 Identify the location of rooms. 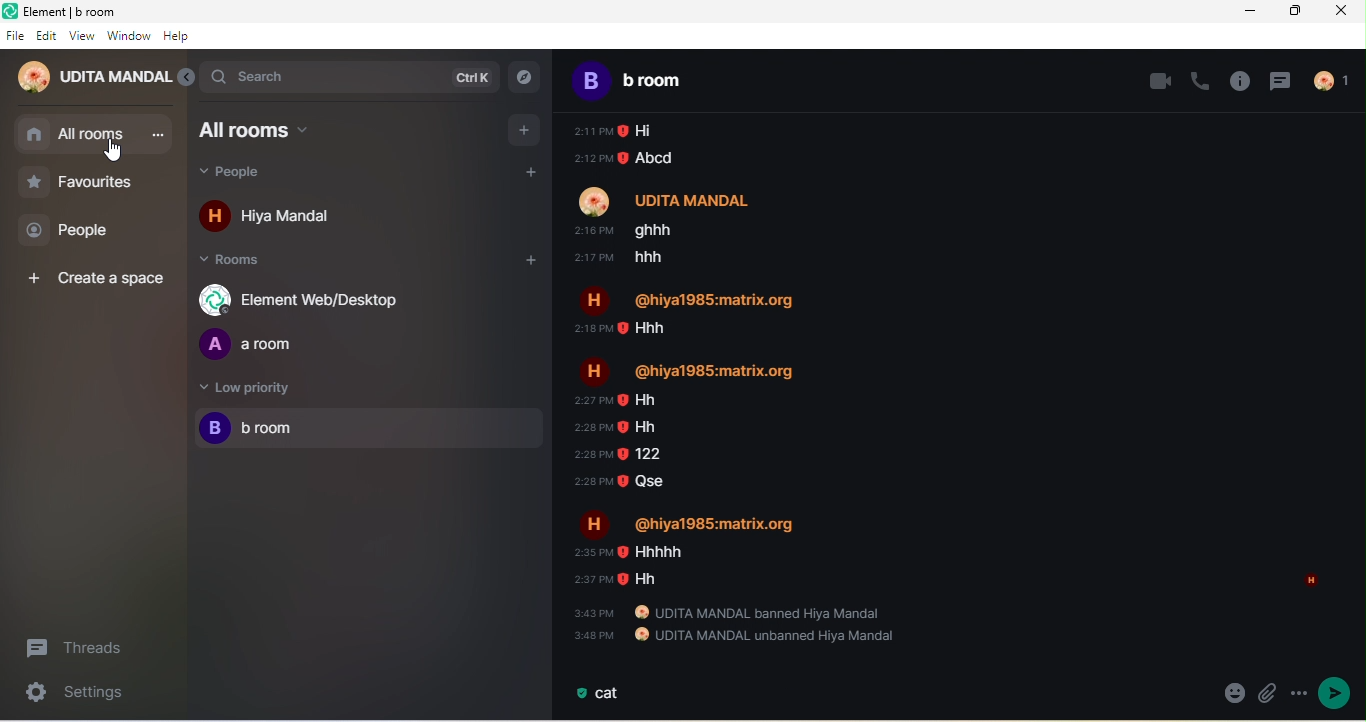
(240, 263).